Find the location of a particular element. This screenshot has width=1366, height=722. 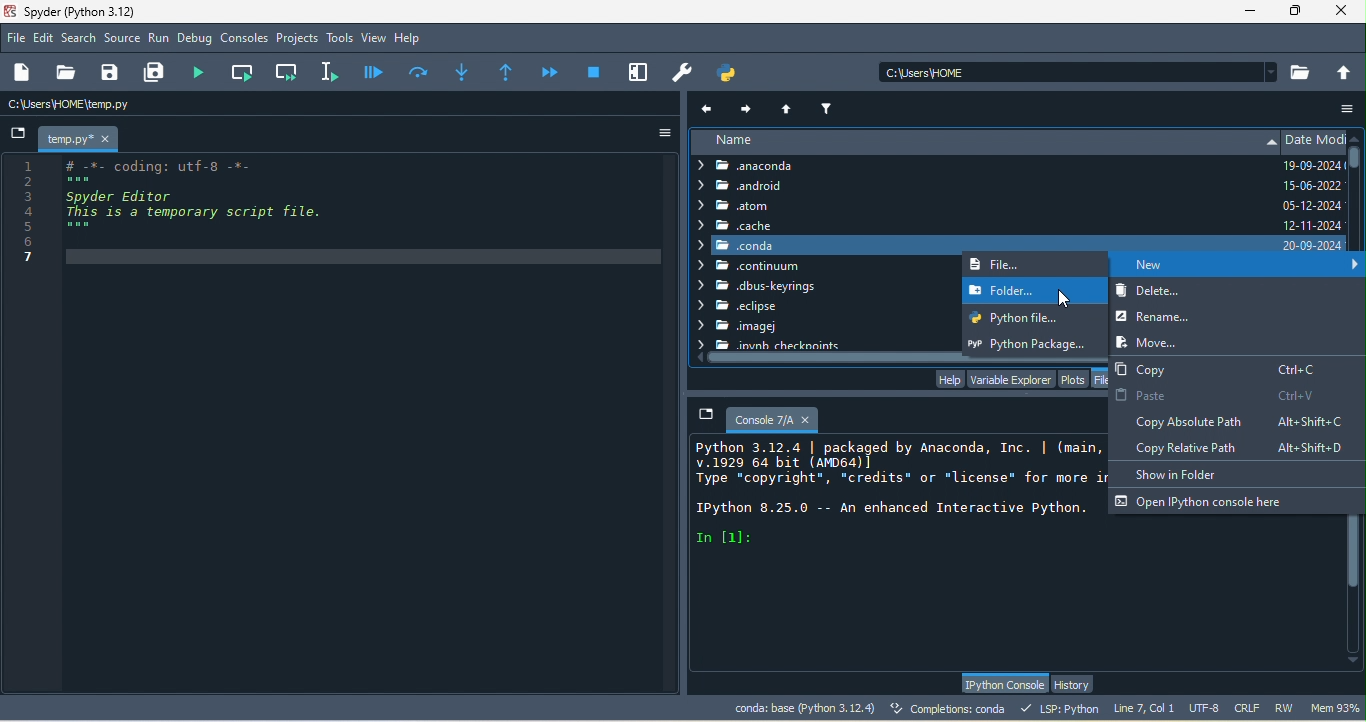

c\users\home is located at coordinates (126, 105).